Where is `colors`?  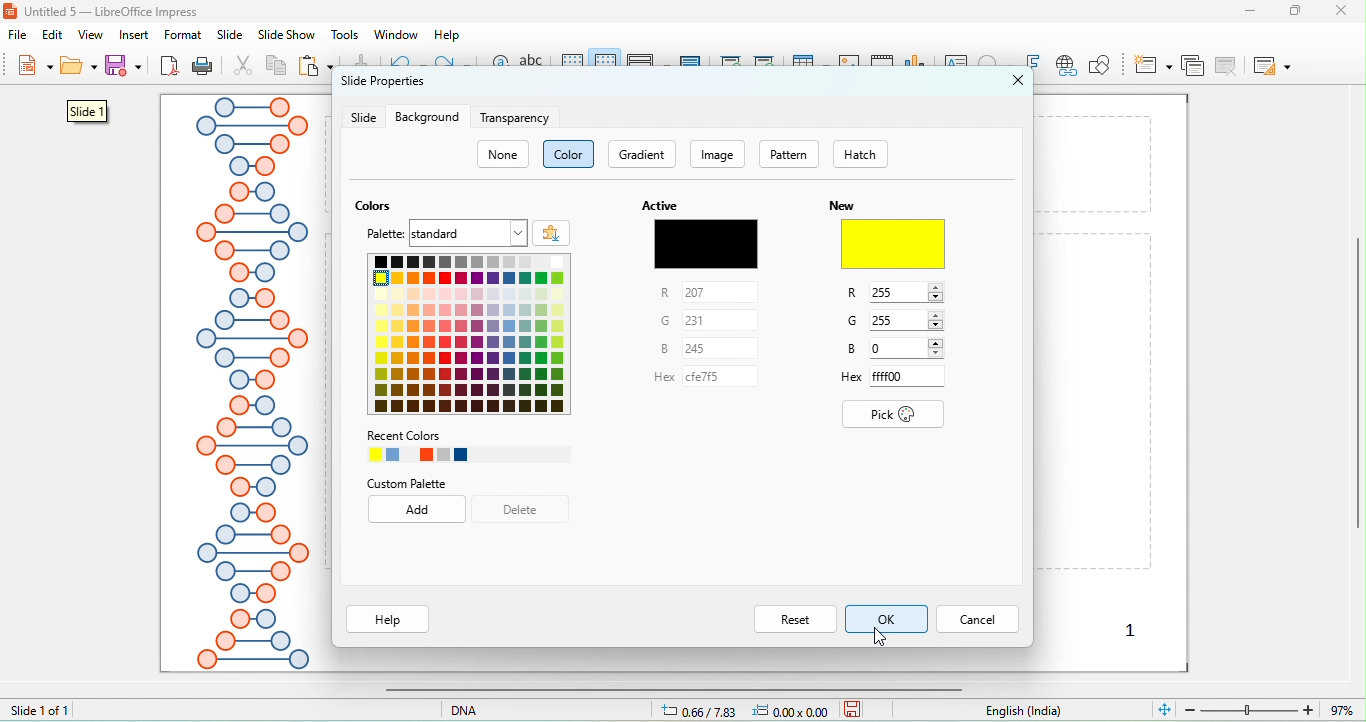
colors is located at coordinates (377, 206).